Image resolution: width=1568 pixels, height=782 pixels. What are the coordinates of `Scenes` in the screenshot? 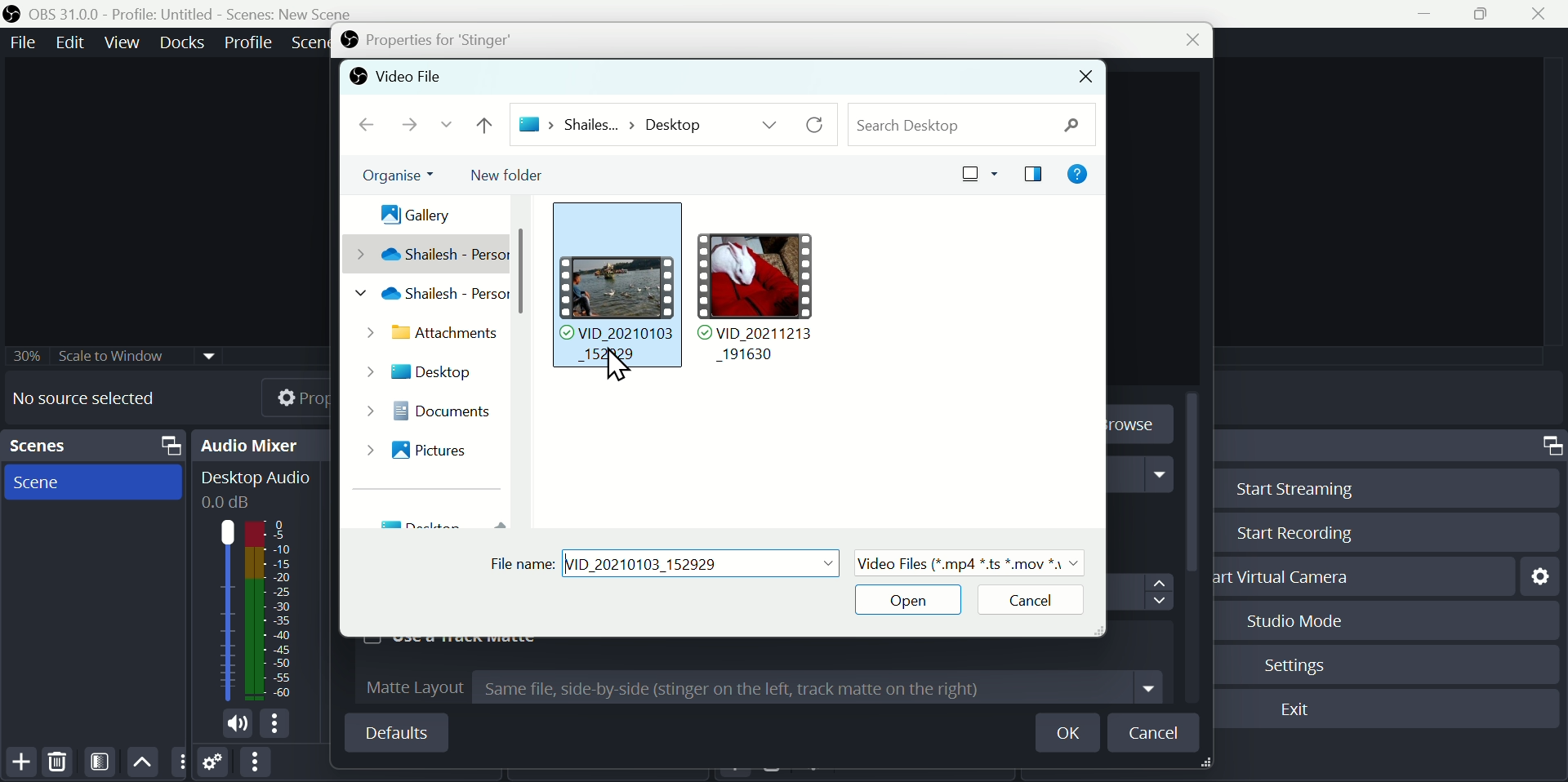 It's located at (97, 446).